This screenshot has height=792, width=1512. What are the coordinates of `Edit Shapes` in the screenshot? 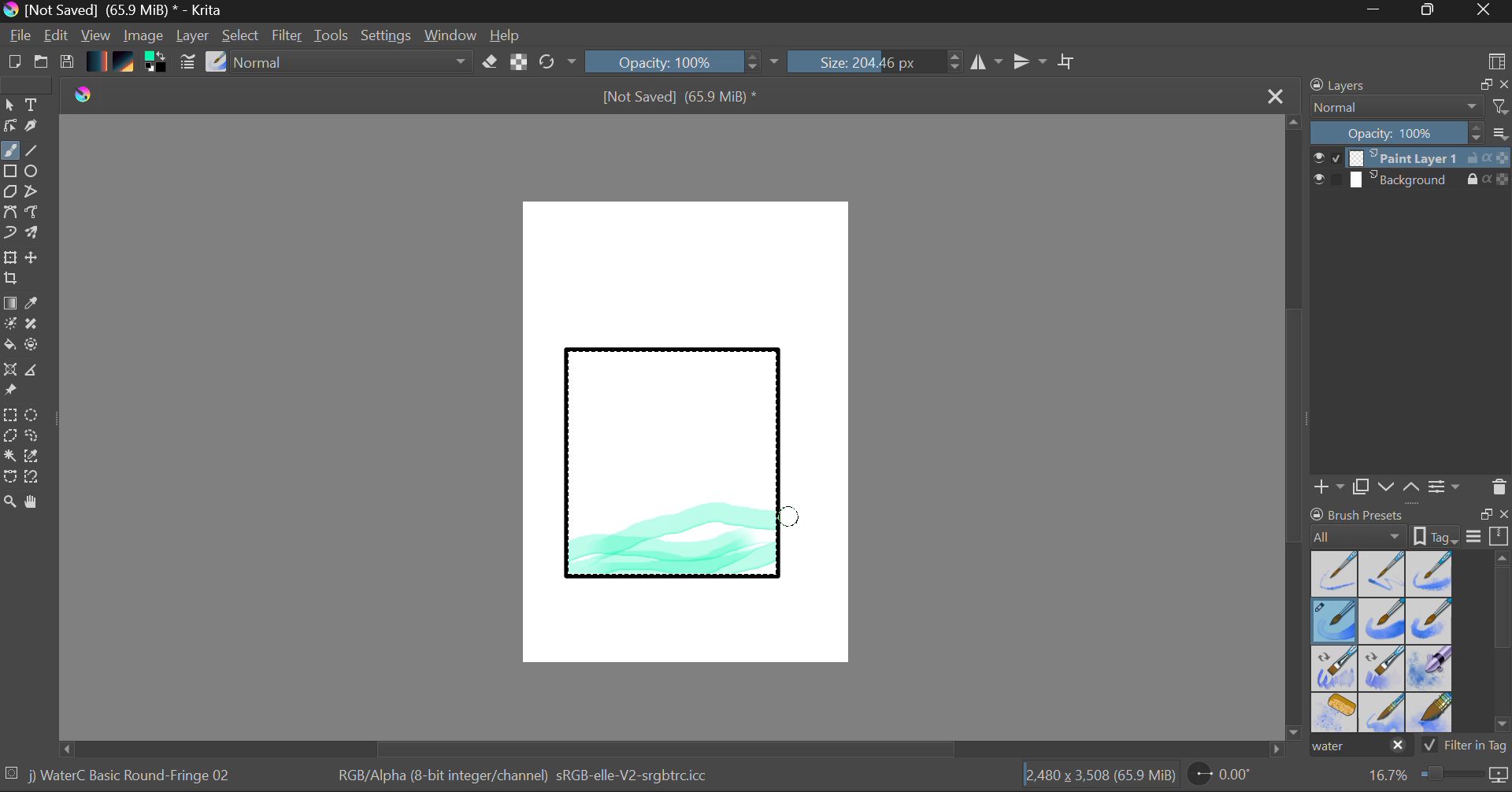 It's located at (9, 128).